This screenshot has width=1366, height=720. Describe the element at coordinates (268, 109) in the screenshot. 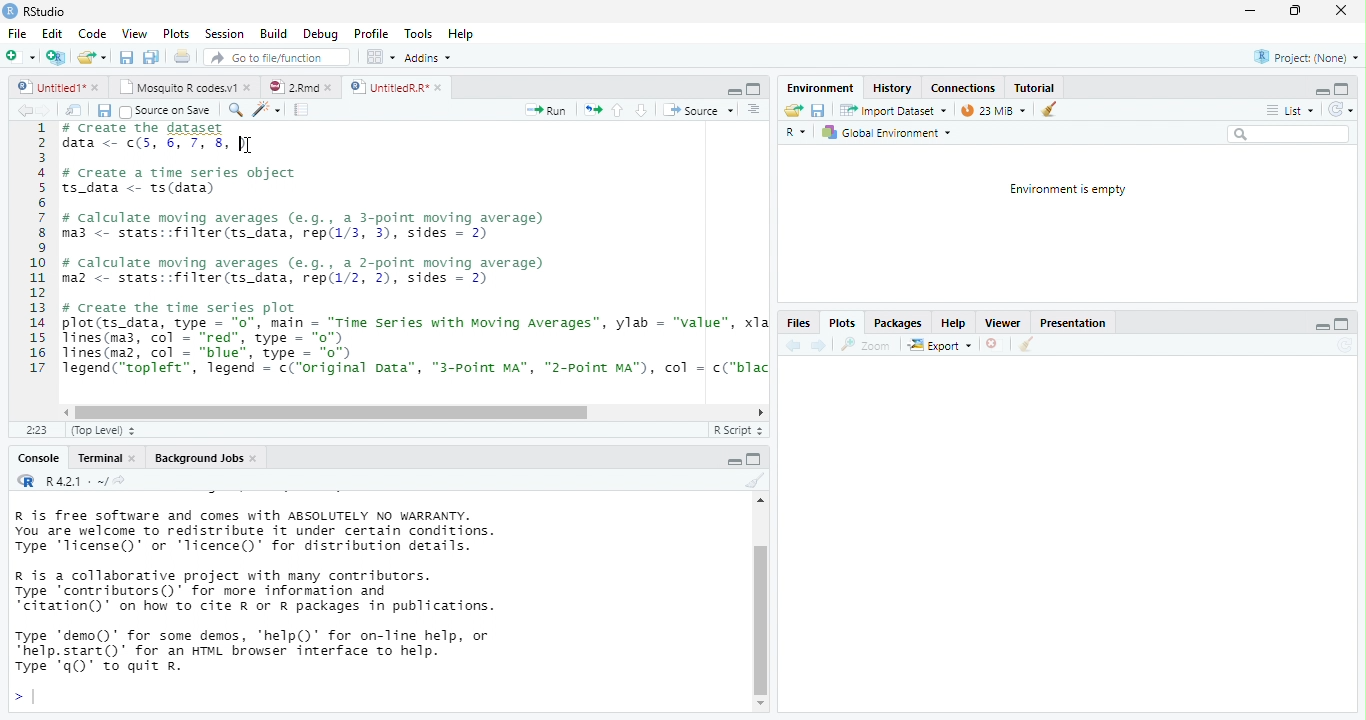

I see `code tool` at that location.